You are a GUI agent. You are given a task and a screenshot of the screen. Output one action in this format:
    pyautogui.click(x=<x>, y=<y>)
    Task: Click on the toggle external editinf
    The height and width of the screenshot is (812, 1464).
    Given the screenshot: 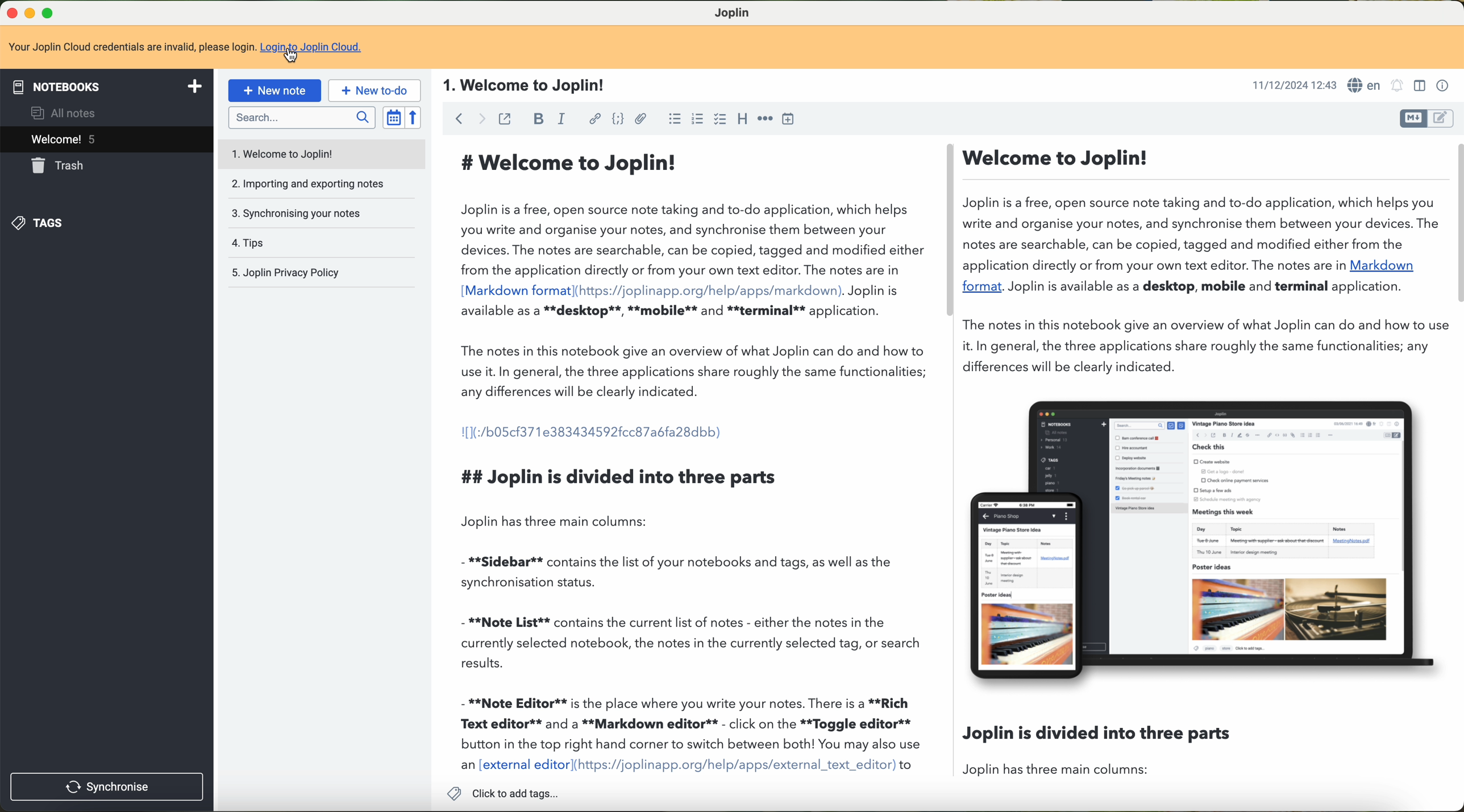 What is the action you would take?
    pyautogui.click(x=504, y=119)
    